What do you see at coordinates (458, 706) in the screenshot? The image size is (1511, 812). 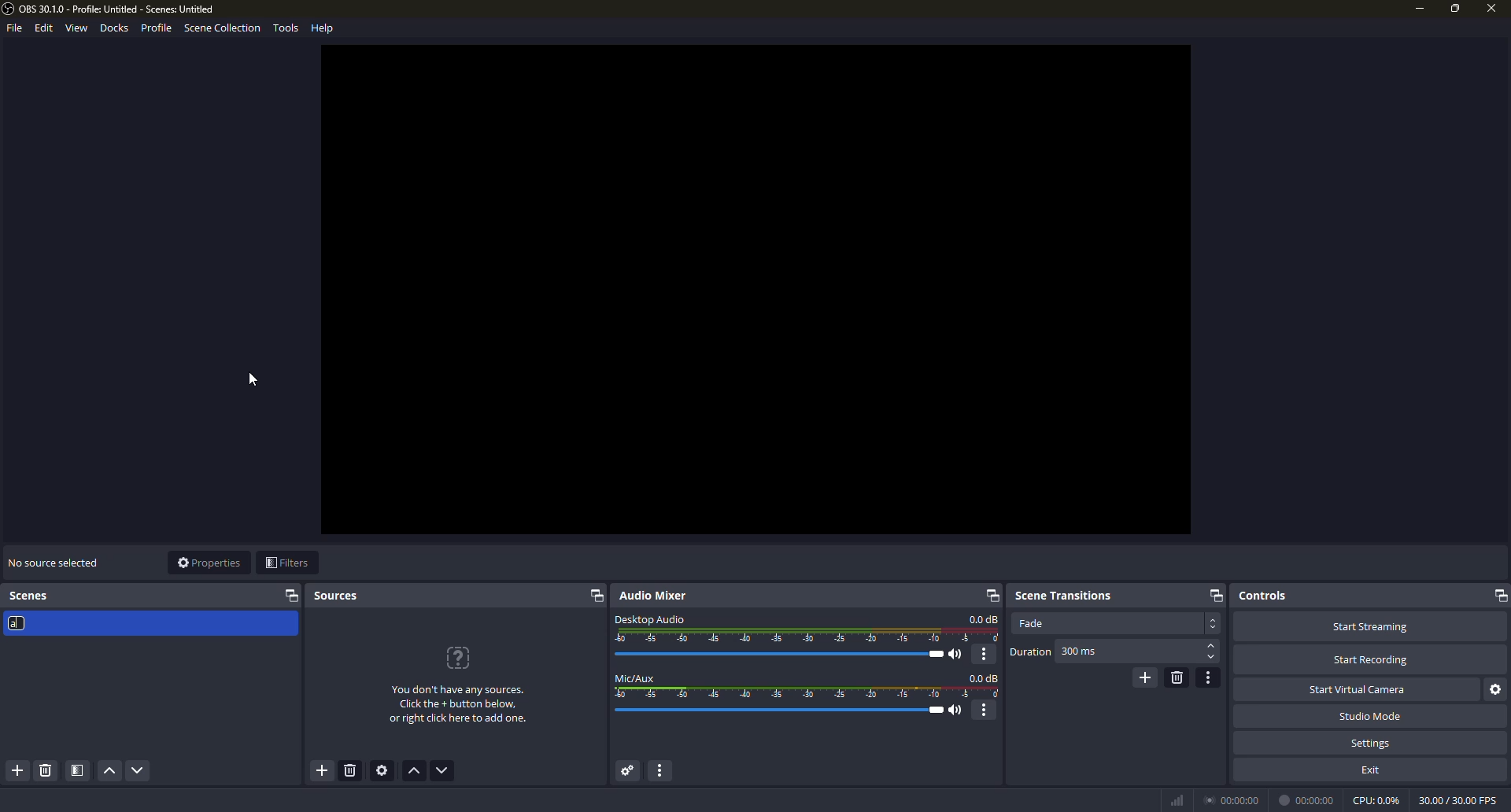 I see `info` at bounding box center [458, 706].